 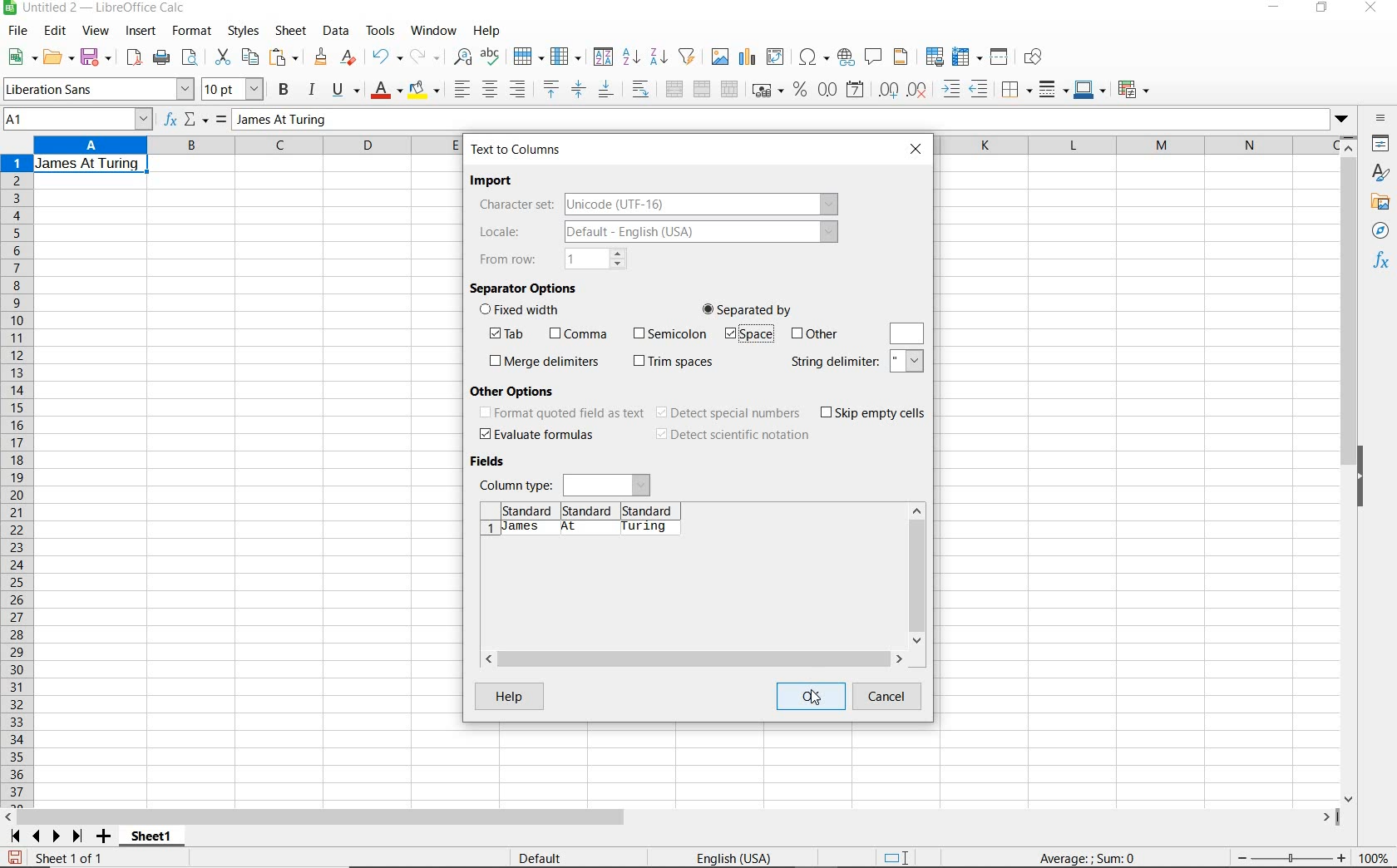 What do you see at coordinates (388, 90) in the screenshot?
I see `font color dark` at bounding box center [388, 90].